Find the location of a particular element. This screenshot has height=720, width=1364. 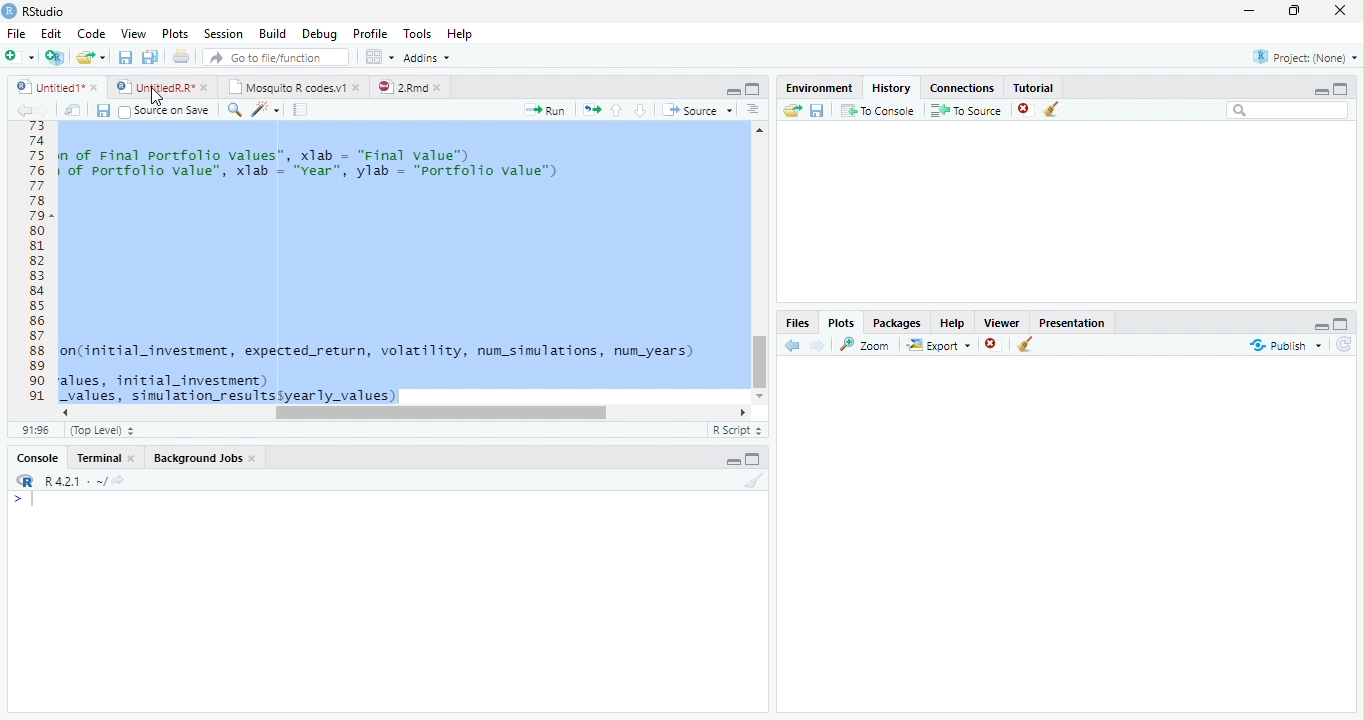

Load history from an existing file is located at coordinates (791, 111).